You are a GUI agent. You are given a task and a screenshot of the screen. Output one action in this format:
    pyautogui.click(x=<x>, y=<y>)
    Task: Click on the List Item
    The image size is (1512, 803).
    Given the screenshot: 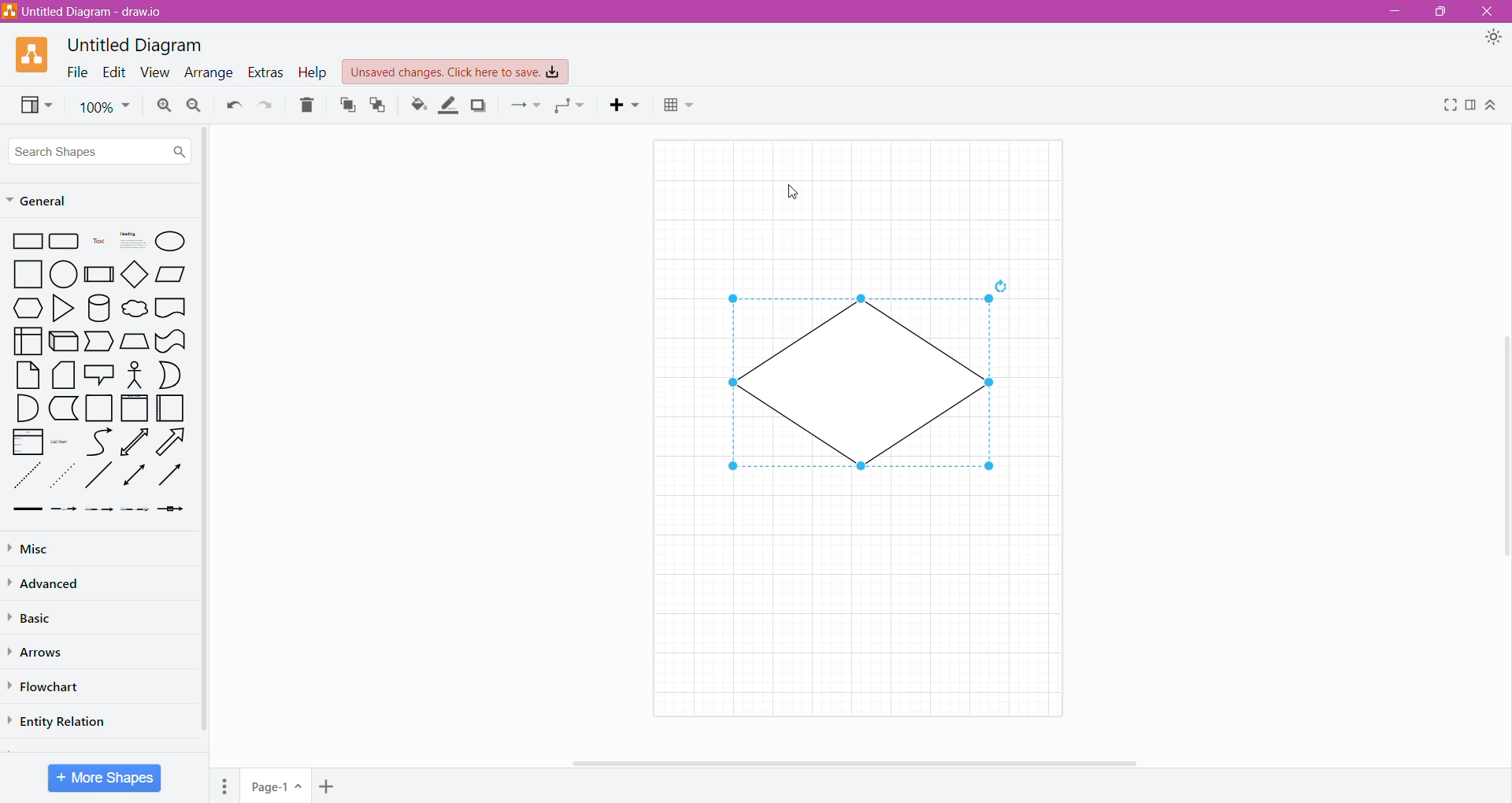 What is the action you would take?
    pyautogui.click(x=61, y=442)
    